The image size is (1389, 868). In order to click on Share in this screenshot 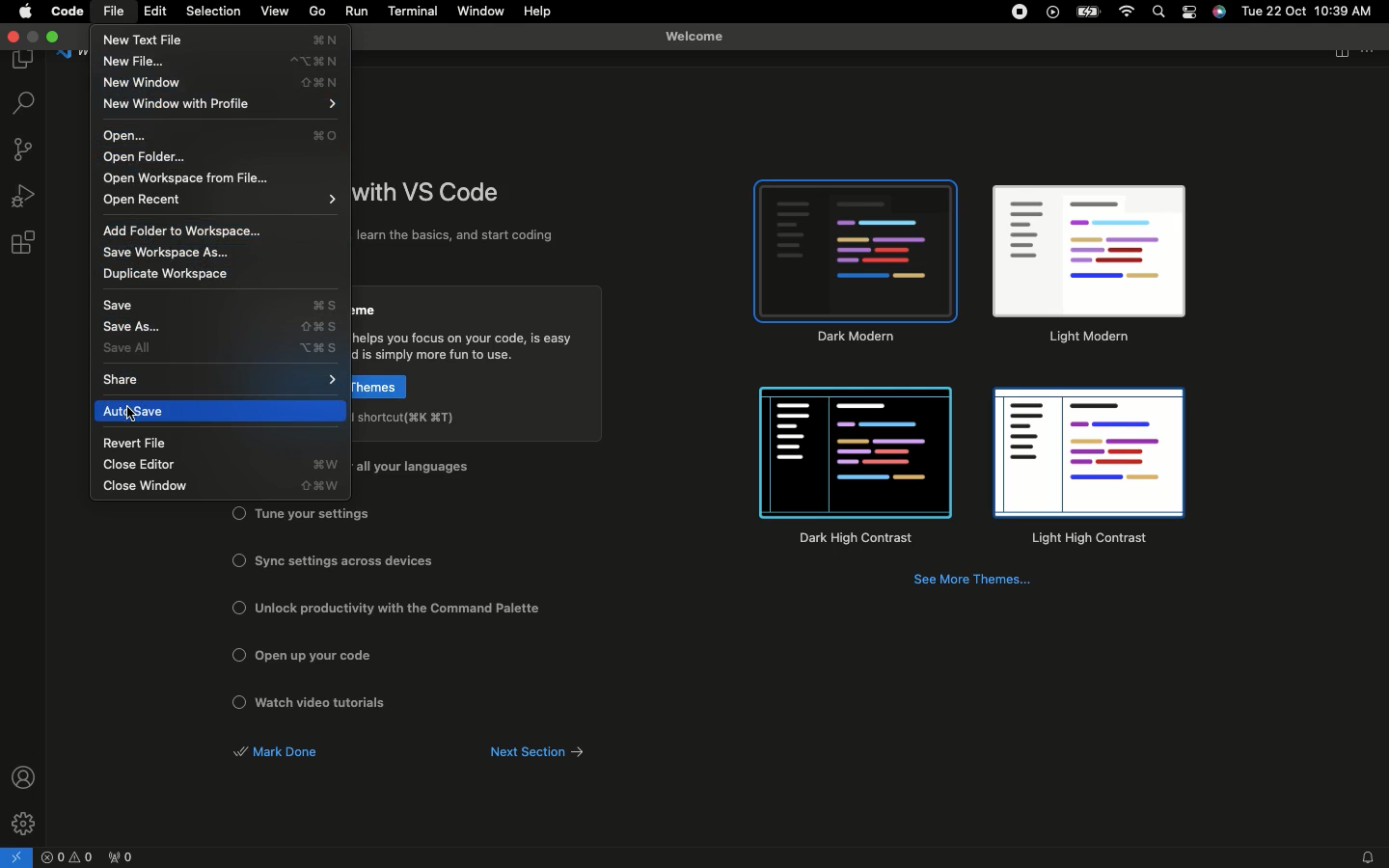, I will do `click(224, 379)`.